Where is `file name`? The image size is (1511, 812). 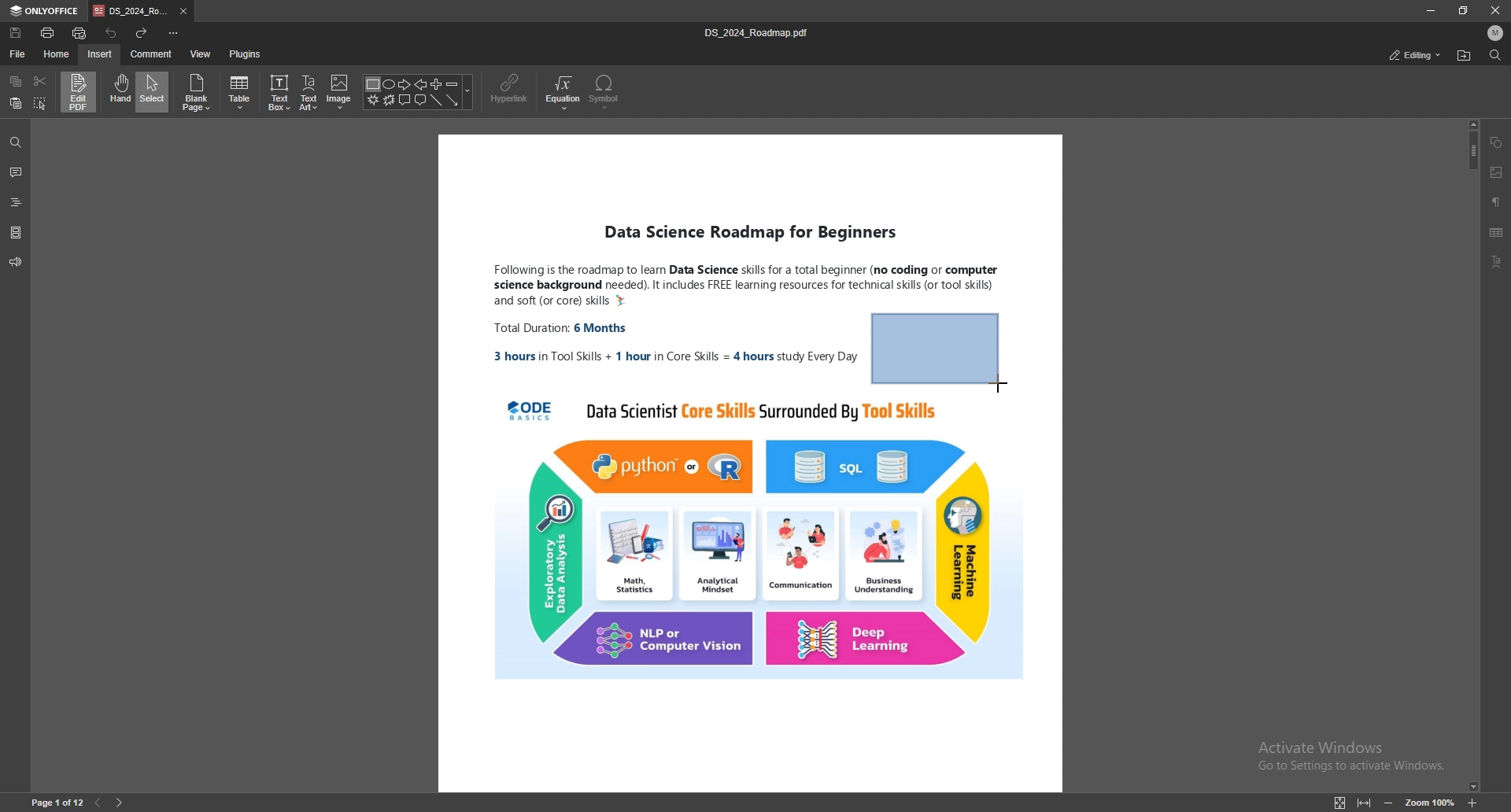
file name is located at coordinates (760, 32).